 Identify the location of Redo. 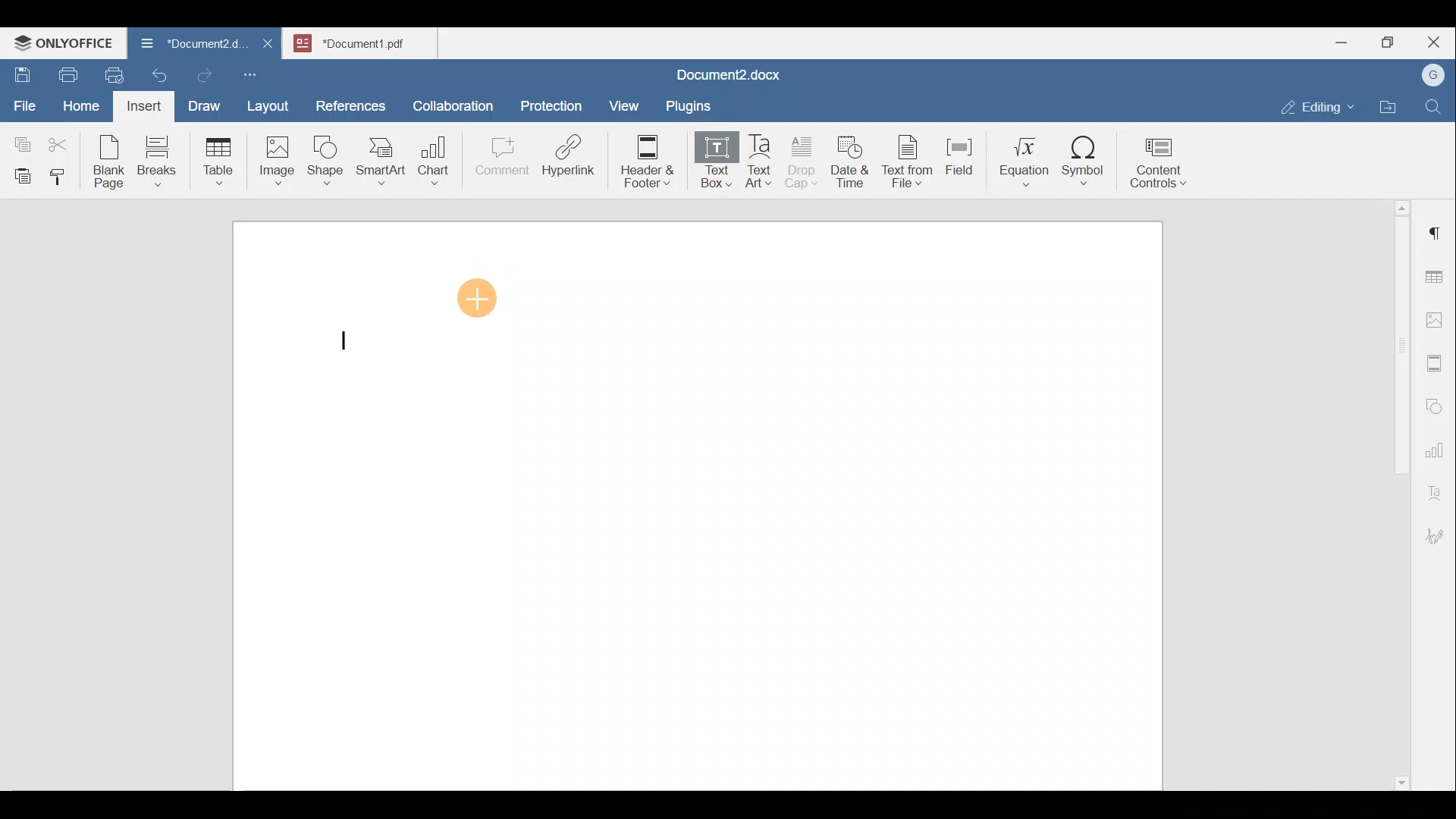
(204, 76).